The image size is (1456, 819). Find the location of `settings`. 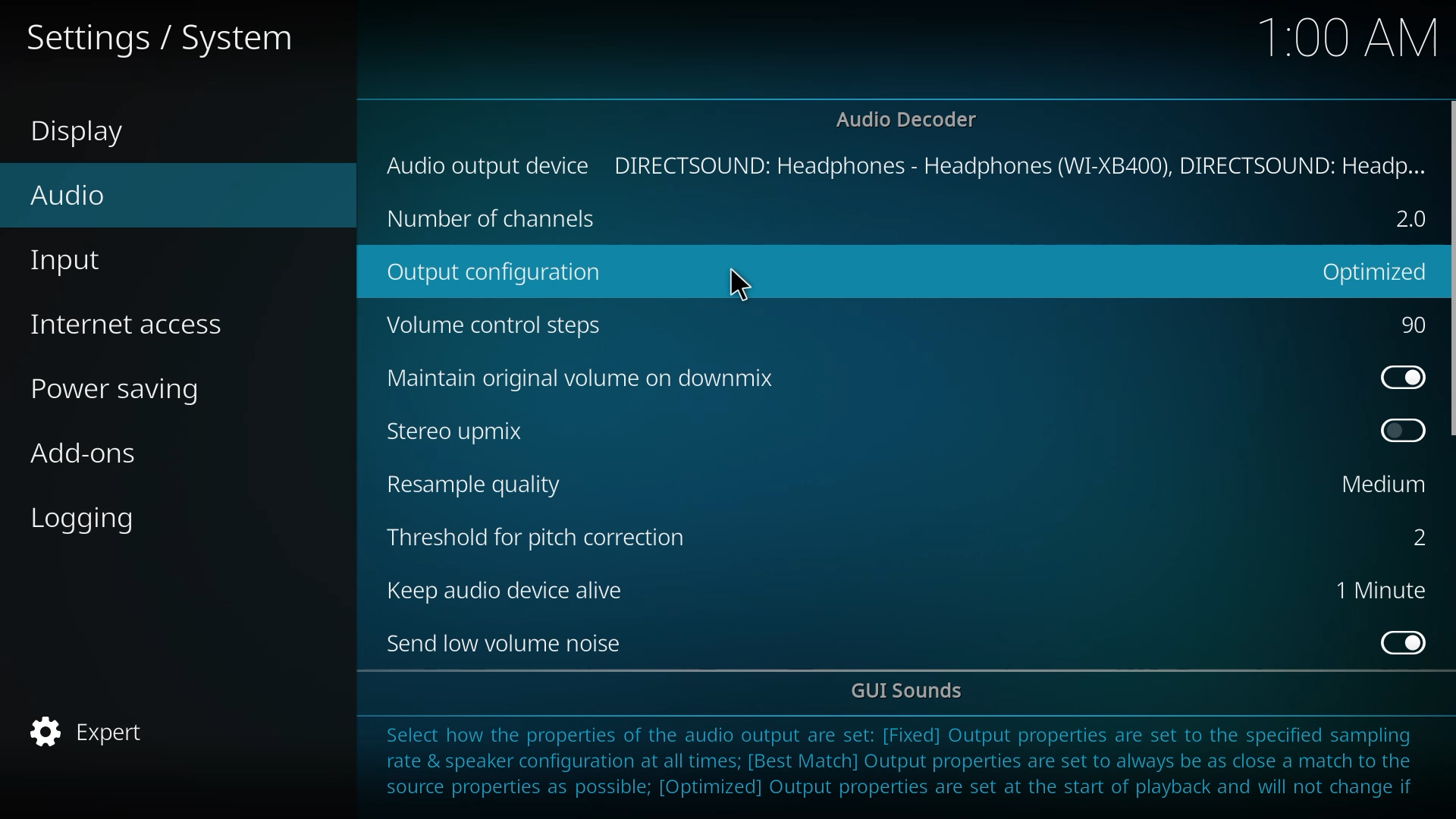

settings is located at coordinates (173, 39).